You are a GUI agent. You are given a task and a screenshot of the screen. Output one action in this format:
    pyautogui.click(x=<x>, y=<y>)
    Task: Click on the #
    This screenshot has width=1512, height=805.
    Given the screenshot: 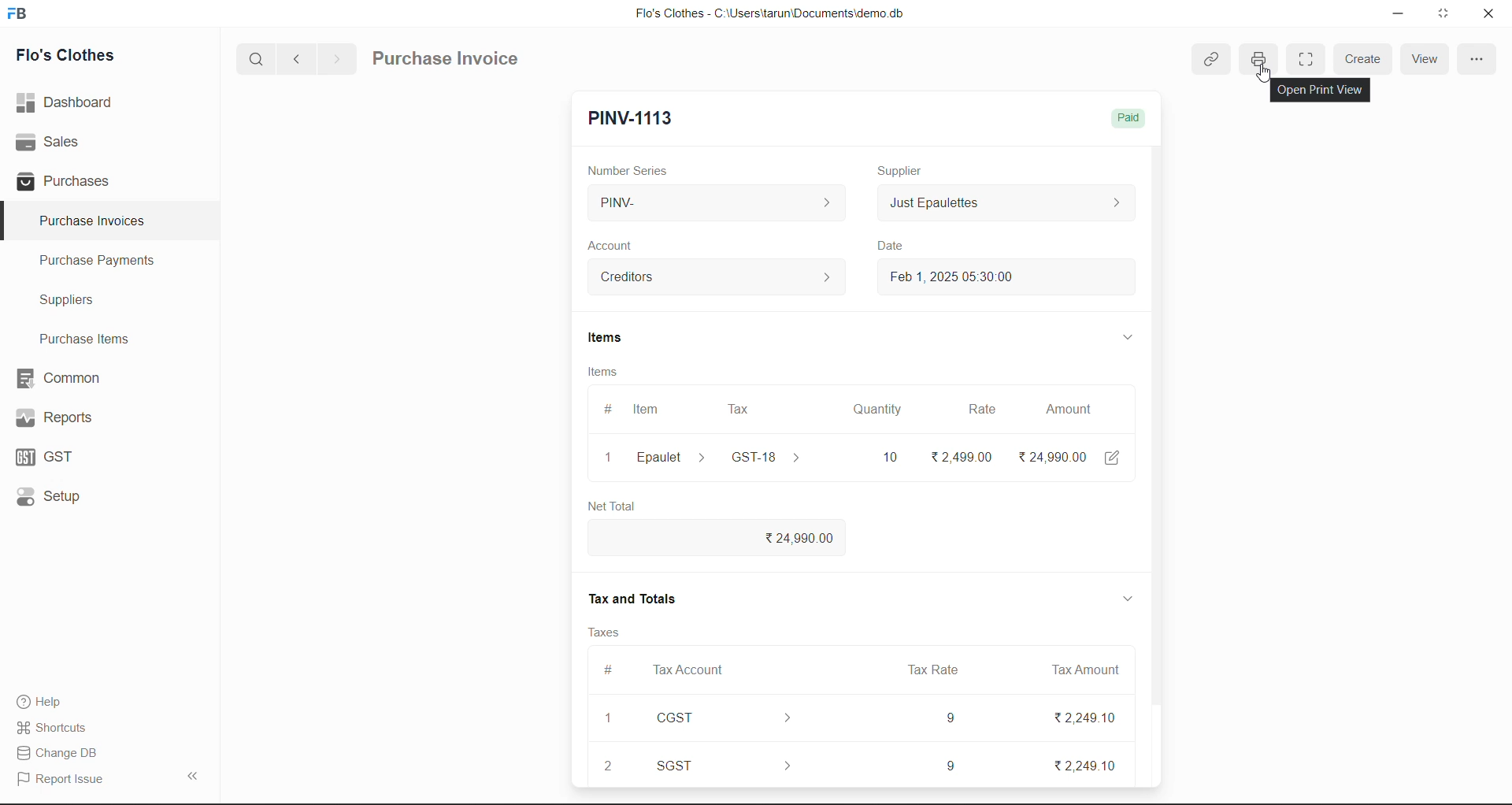 What is the action you would take?
    pyautogui.click(x=602, y=408)
    